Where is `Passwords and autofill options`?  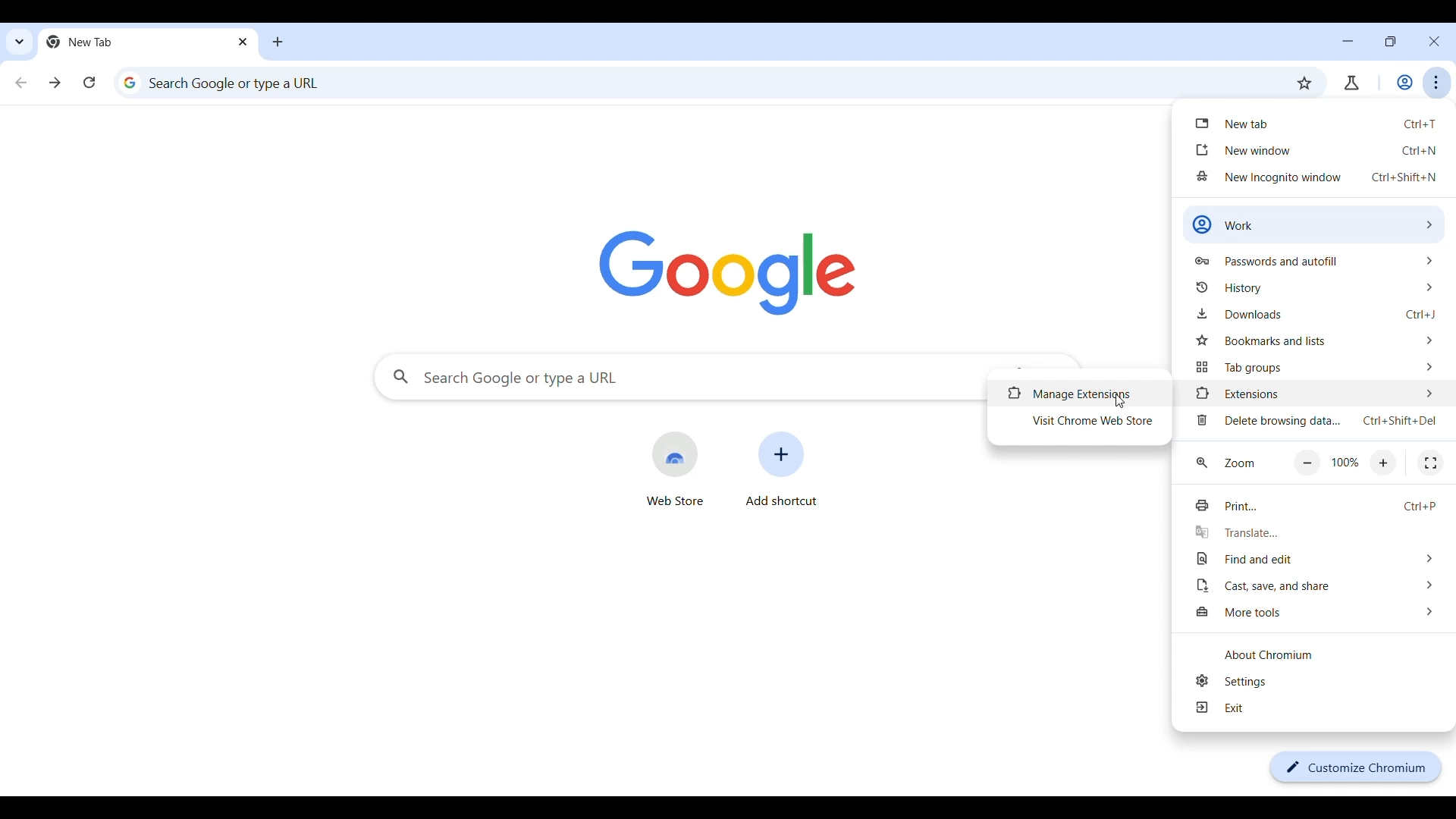
Passwords and autofill options is located at coordinates (1313, 261).